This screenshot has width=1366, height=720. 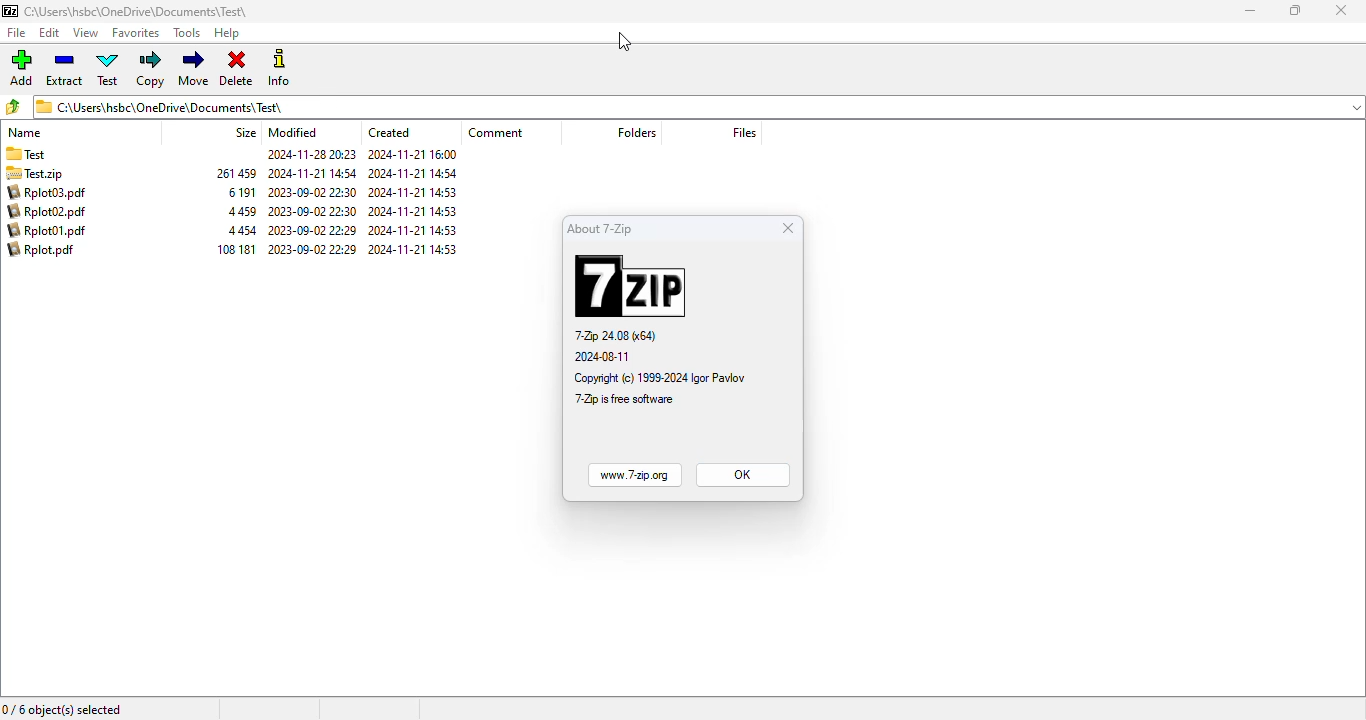 What do you see at coordinates (278, 67) in the screenshot?
I see `info` at bounding box center [278, 67].